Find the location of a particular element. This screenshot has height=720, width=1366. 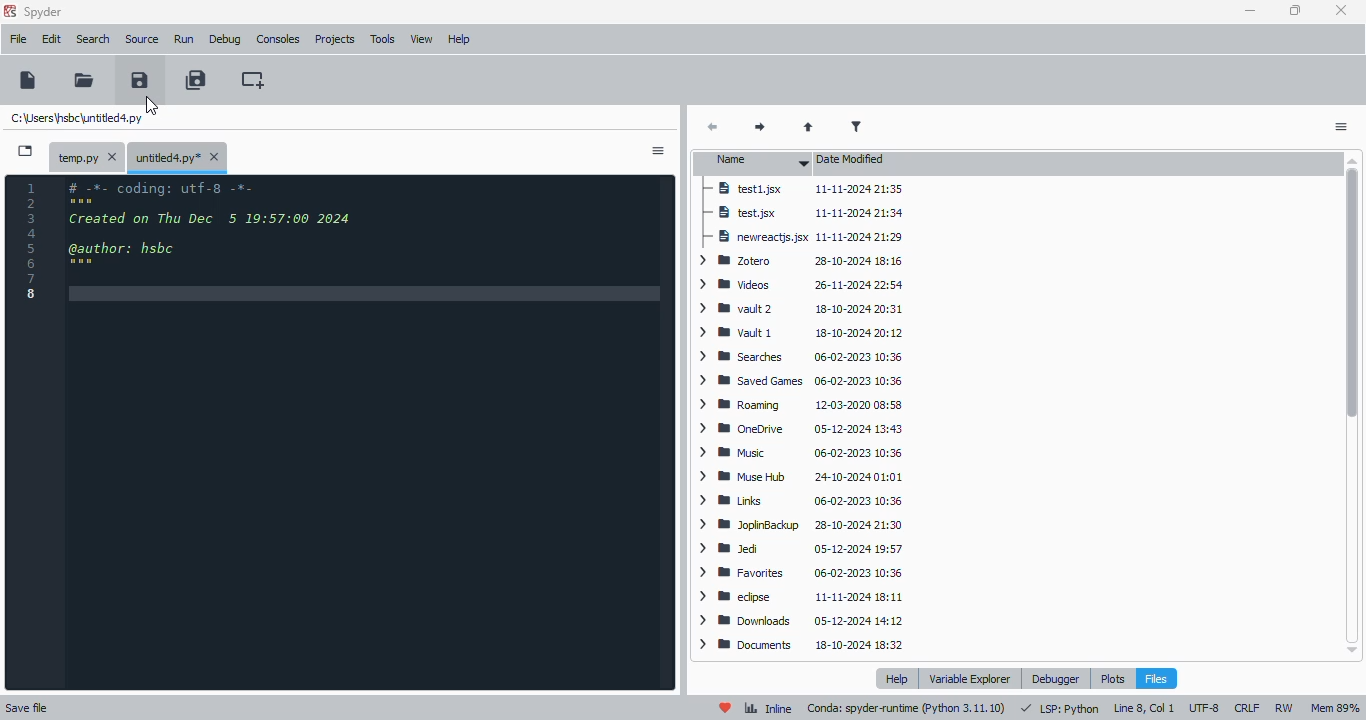

spyder is located at coordinates (44, 12).